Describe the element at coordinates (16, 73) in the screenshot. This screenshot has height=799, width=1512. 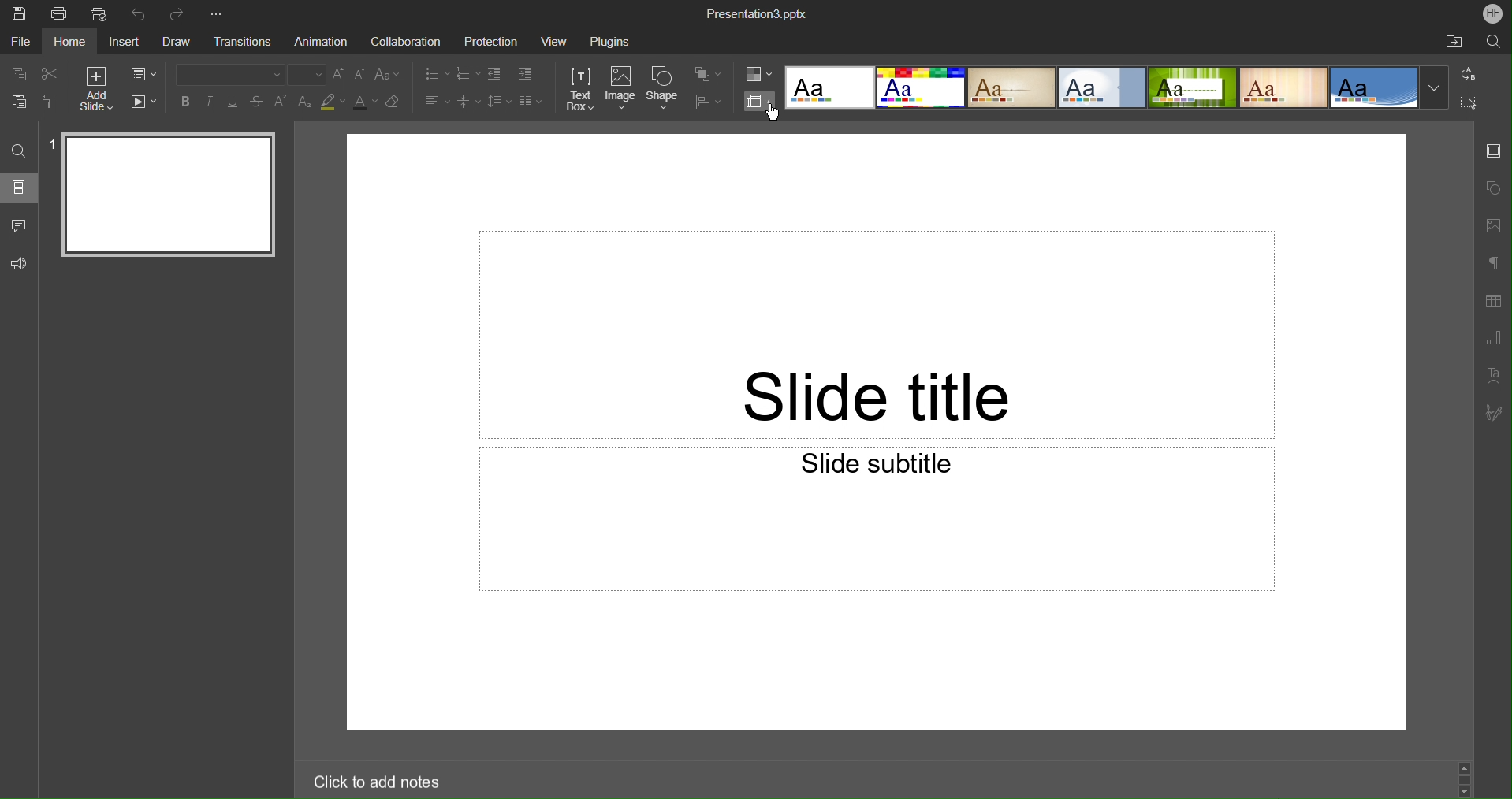
I see `Copy` at that location.